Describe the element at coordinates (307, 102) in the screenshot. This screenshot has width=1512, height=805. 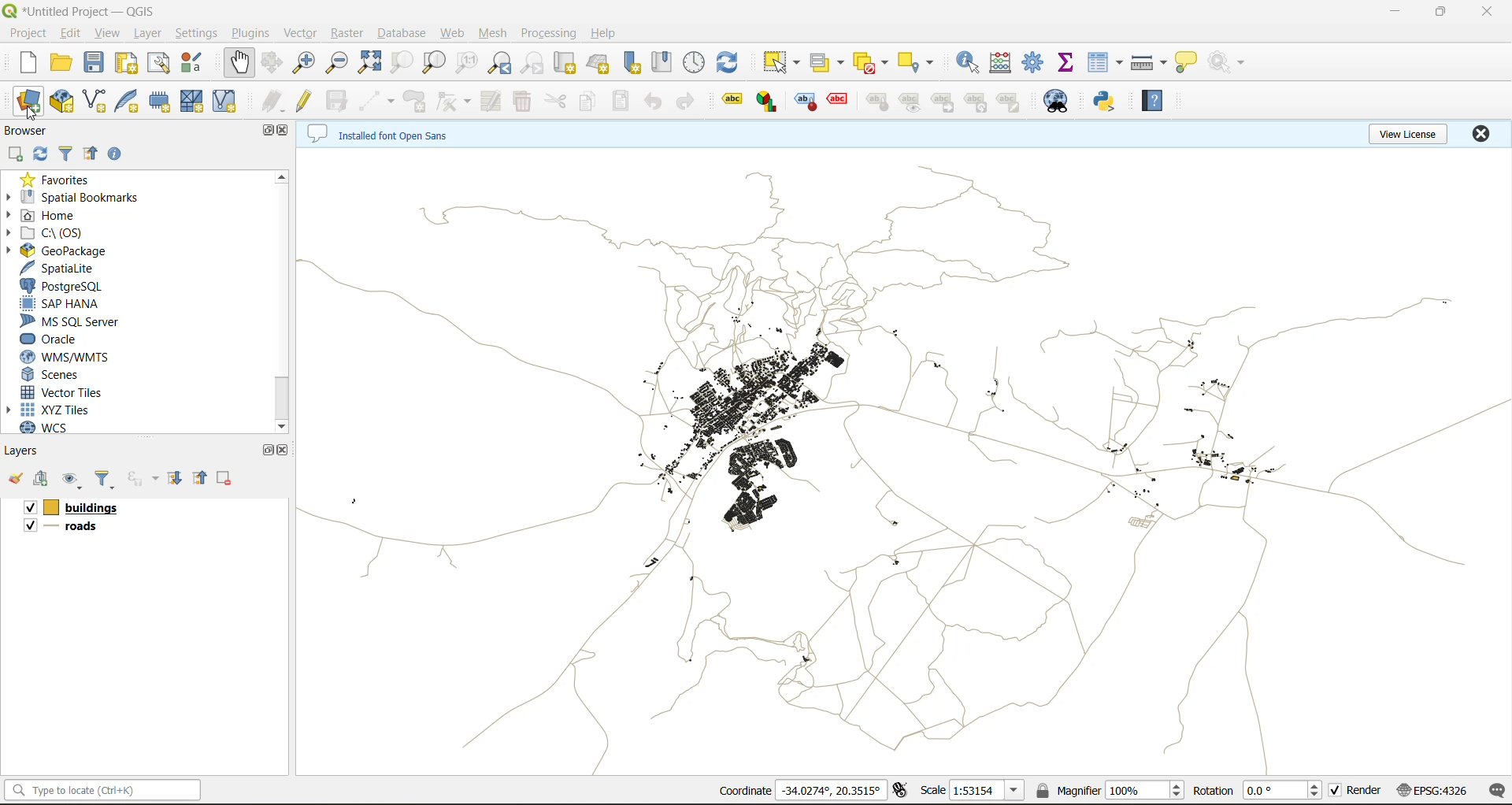
I see `toggle edits` at that location.